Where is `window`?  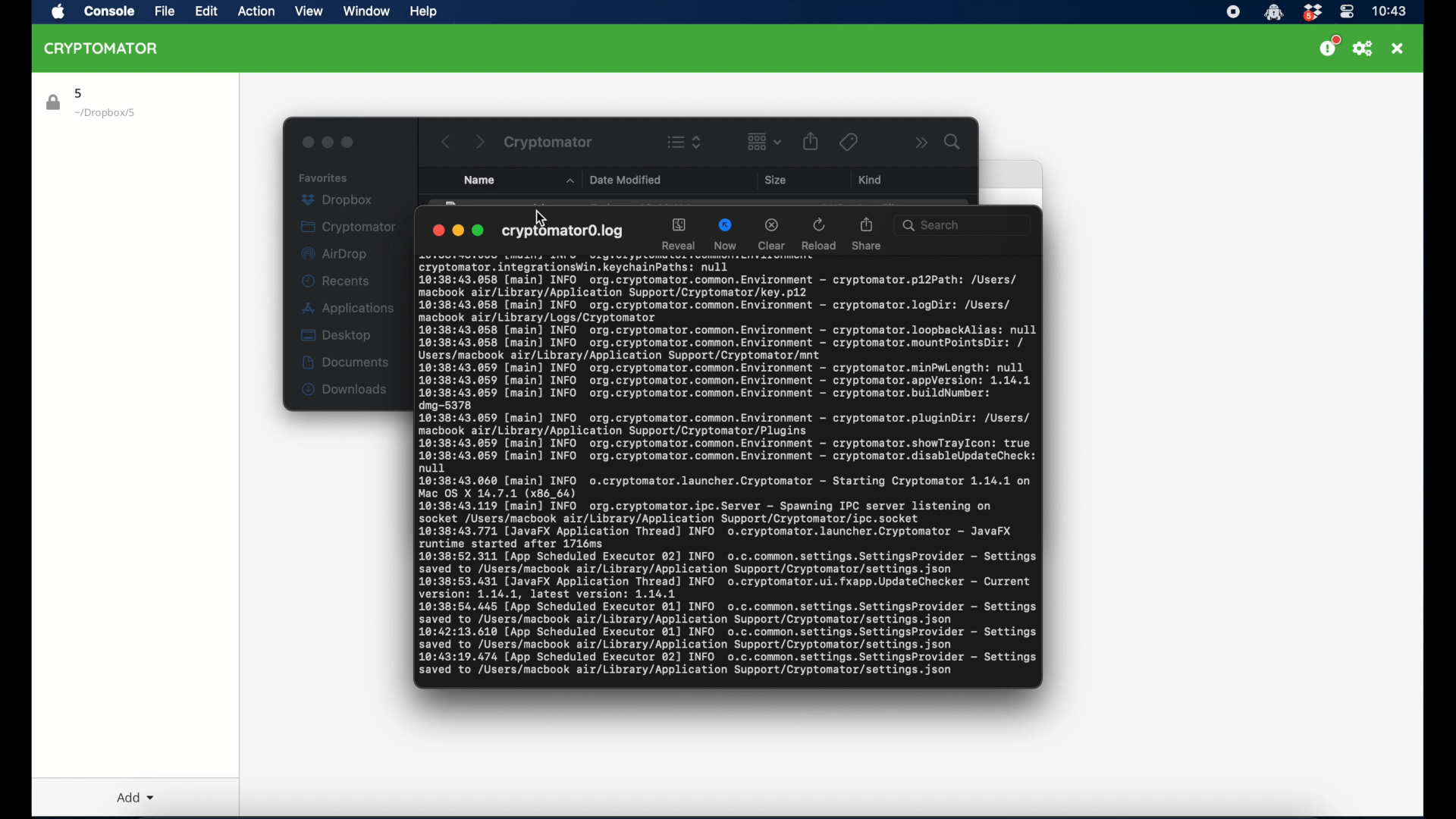
window is located at coordinates (367, 11).